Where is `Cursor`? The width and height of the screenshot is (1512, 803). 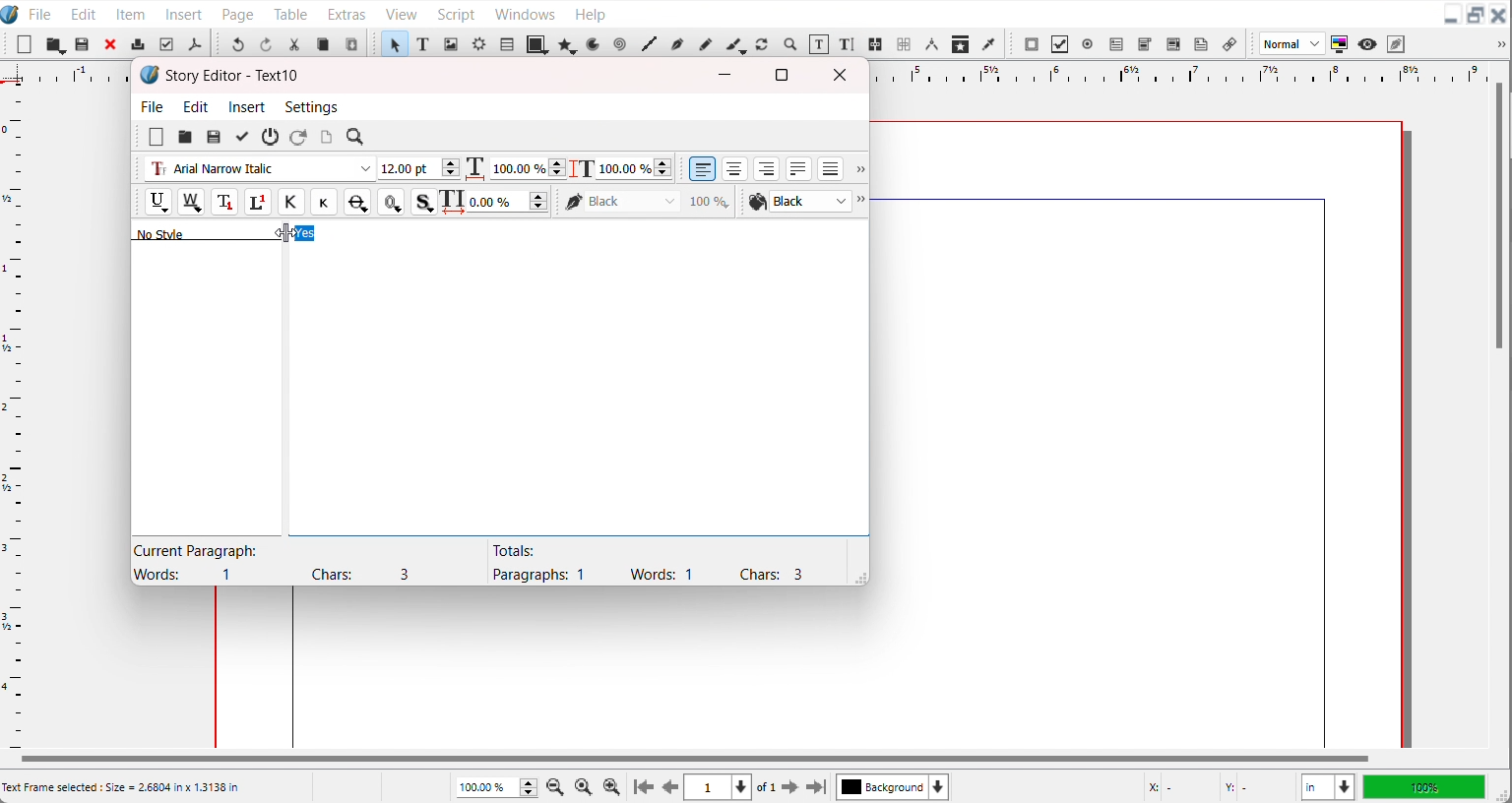
Cursor is located at coordinates (286, 233).